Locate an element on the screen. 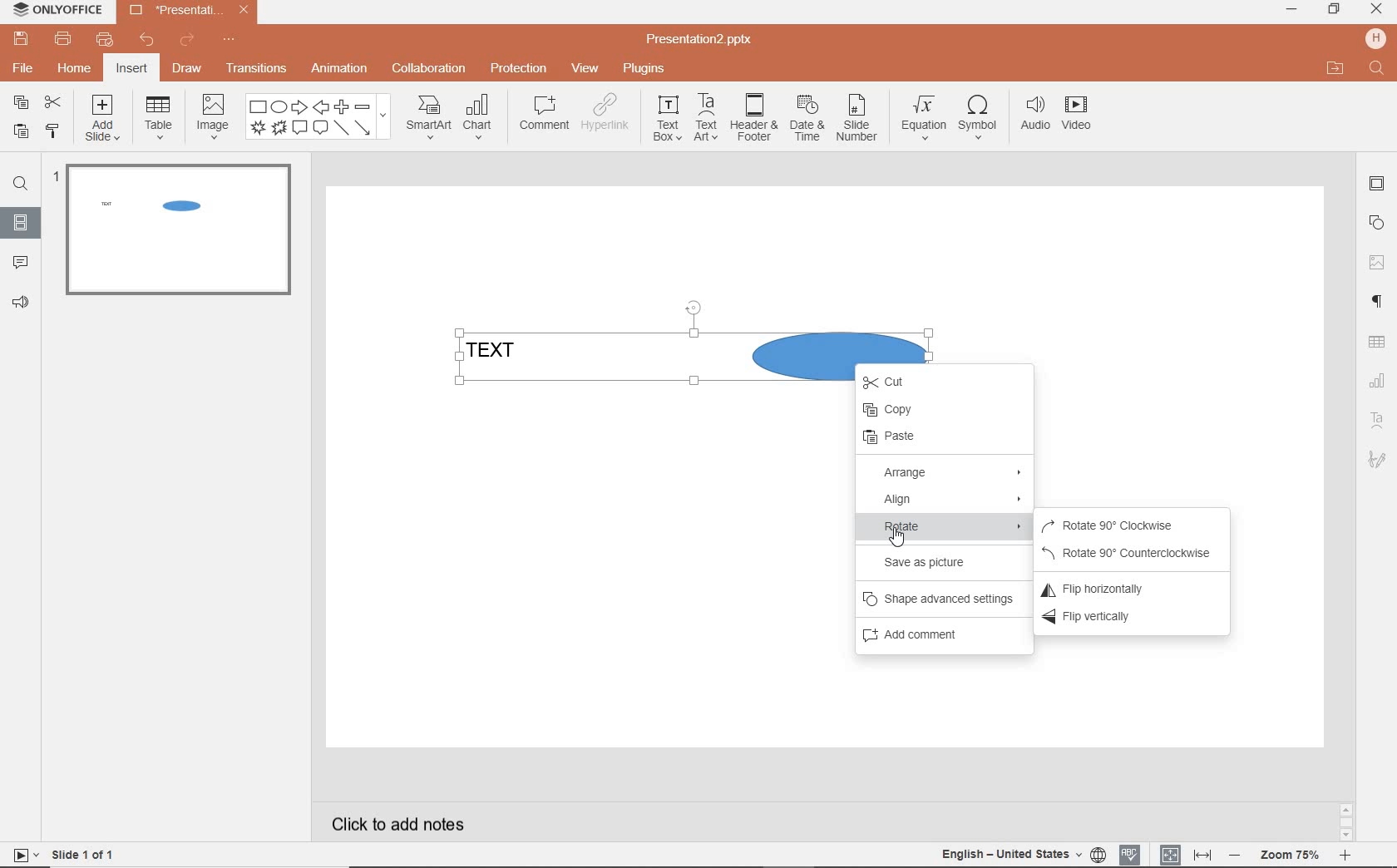 The height and width of the screenshot is (868, 1397). arrange is located at coordinates (949, 474).